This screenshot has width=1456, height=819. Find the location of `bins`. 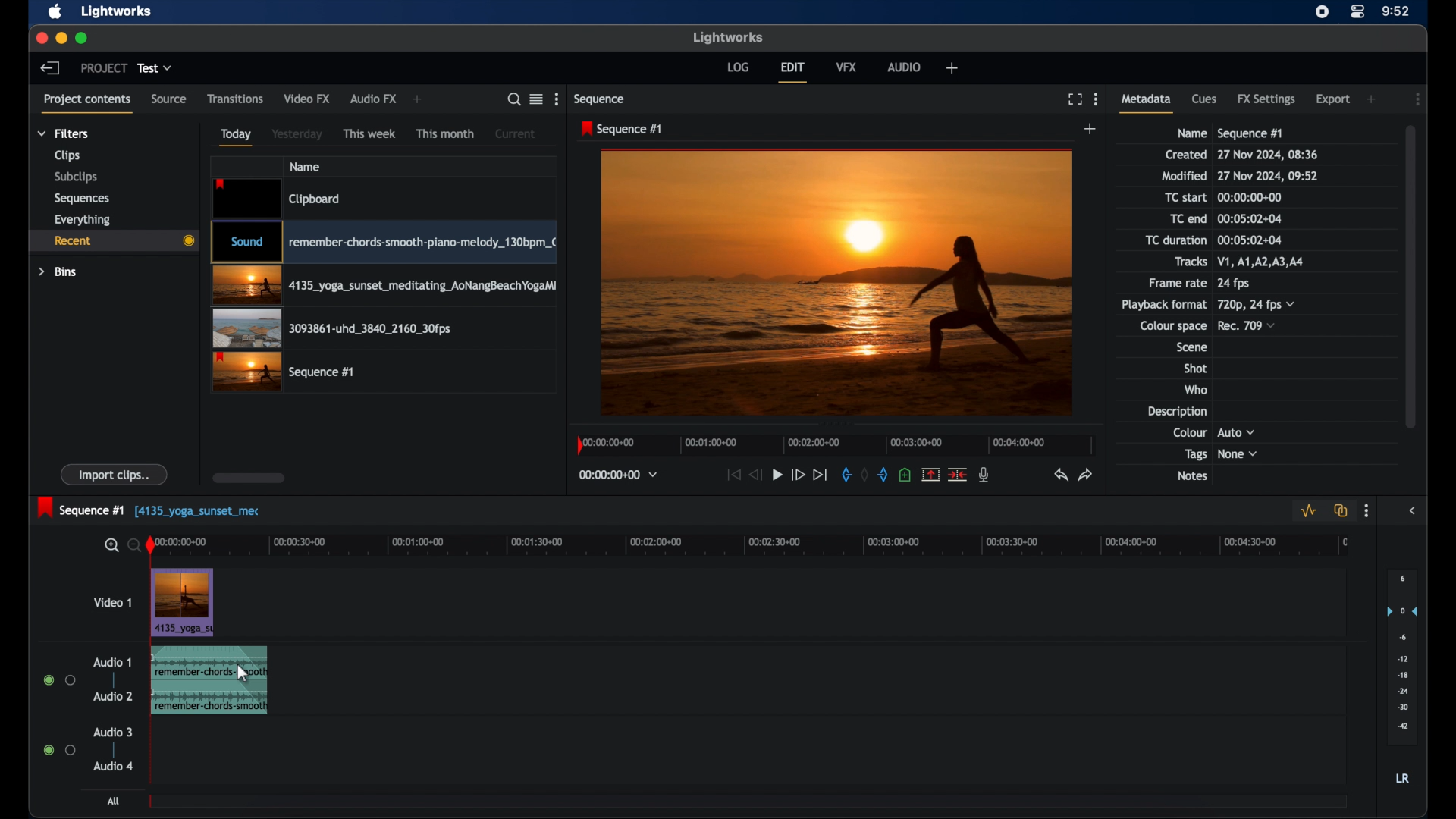

bins is located at coordinates (58, 272).